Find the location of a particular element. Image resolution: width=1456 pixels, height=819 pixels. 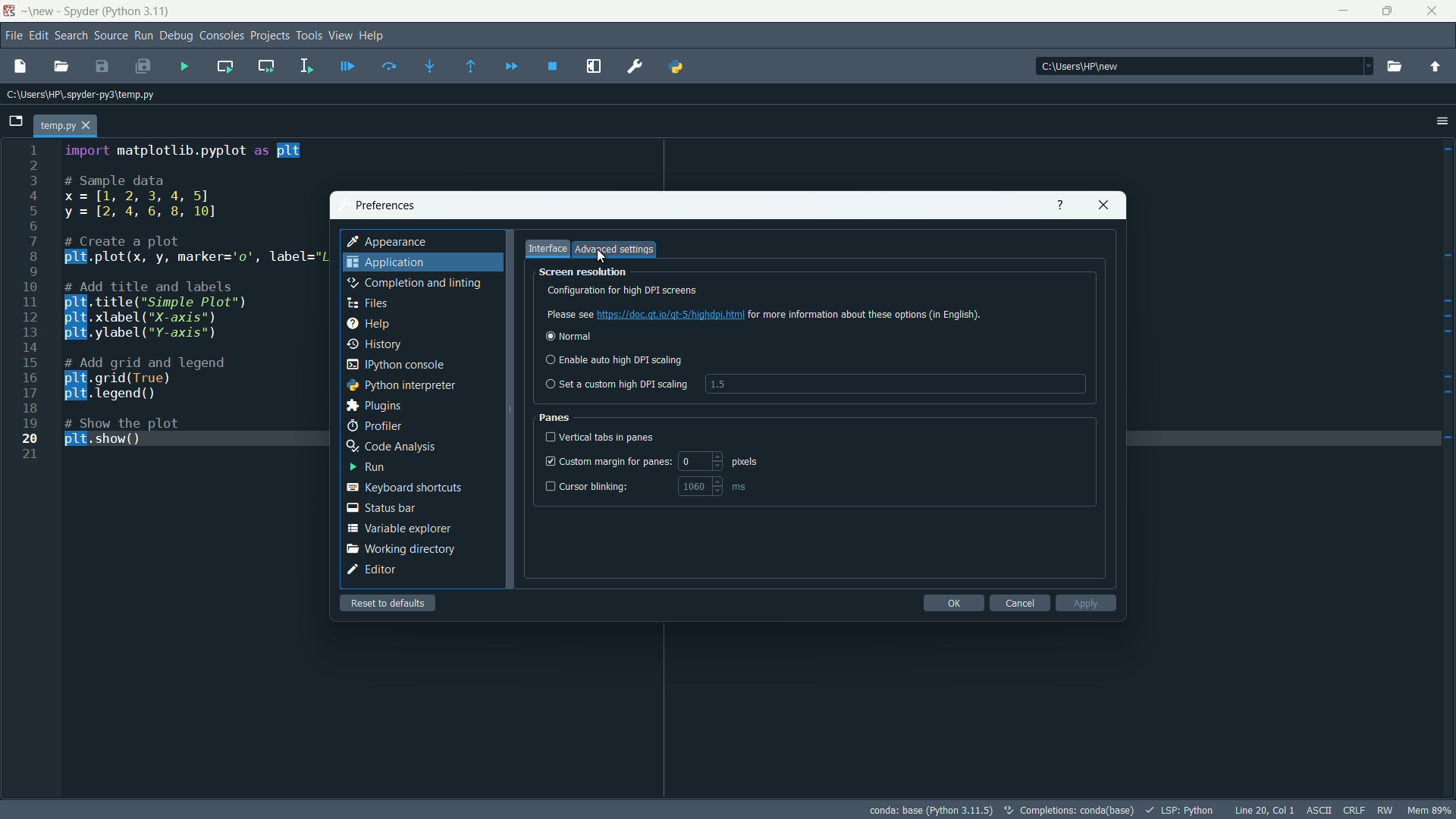

 increment and decremnt button is located at coordinates (717, 486).